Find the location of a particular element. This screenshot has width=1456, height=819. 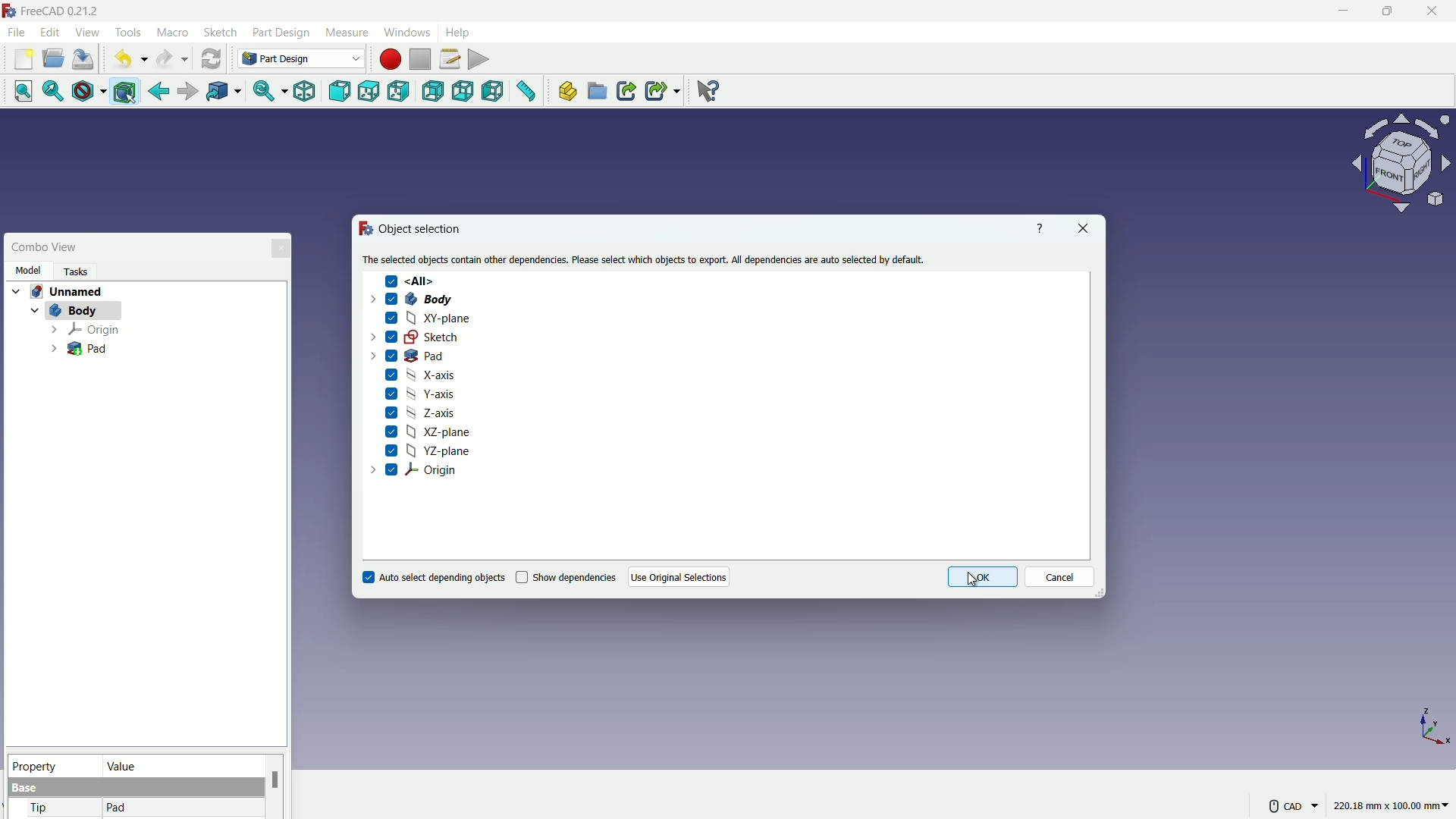

view is located at coordinates (86, 32).